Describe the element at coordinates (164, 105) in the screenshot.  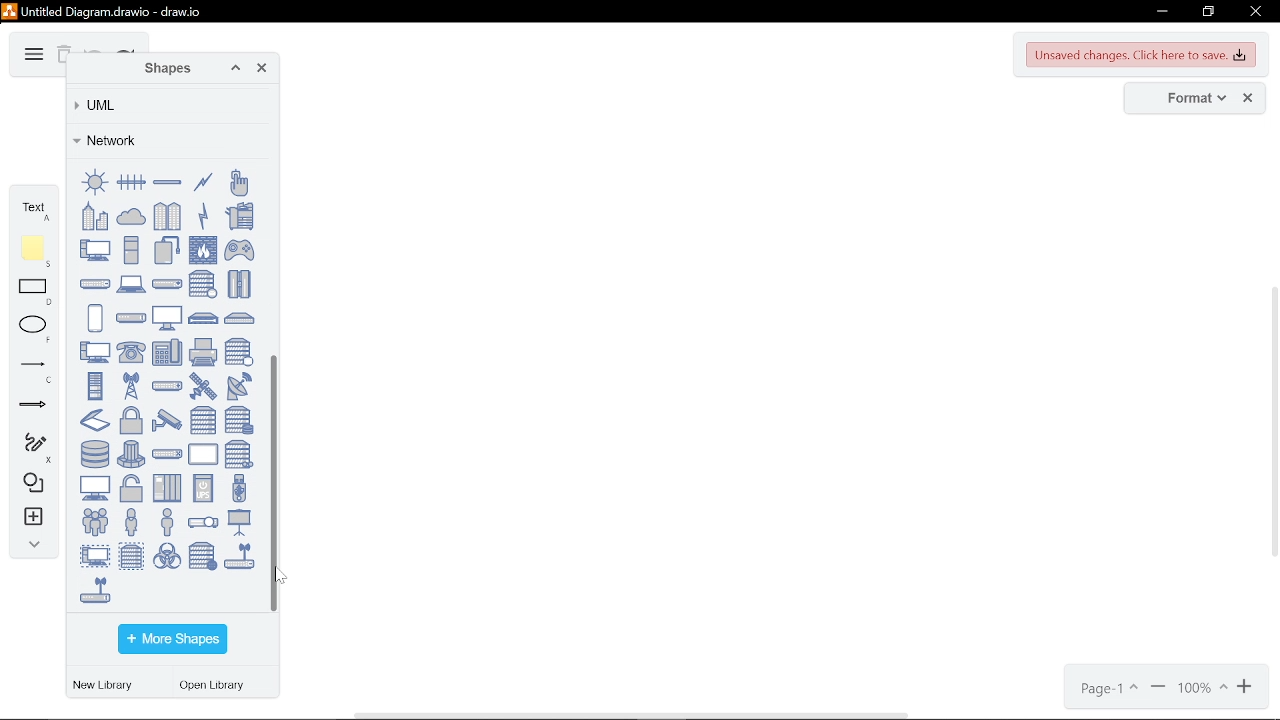
I see `UML` at that location.